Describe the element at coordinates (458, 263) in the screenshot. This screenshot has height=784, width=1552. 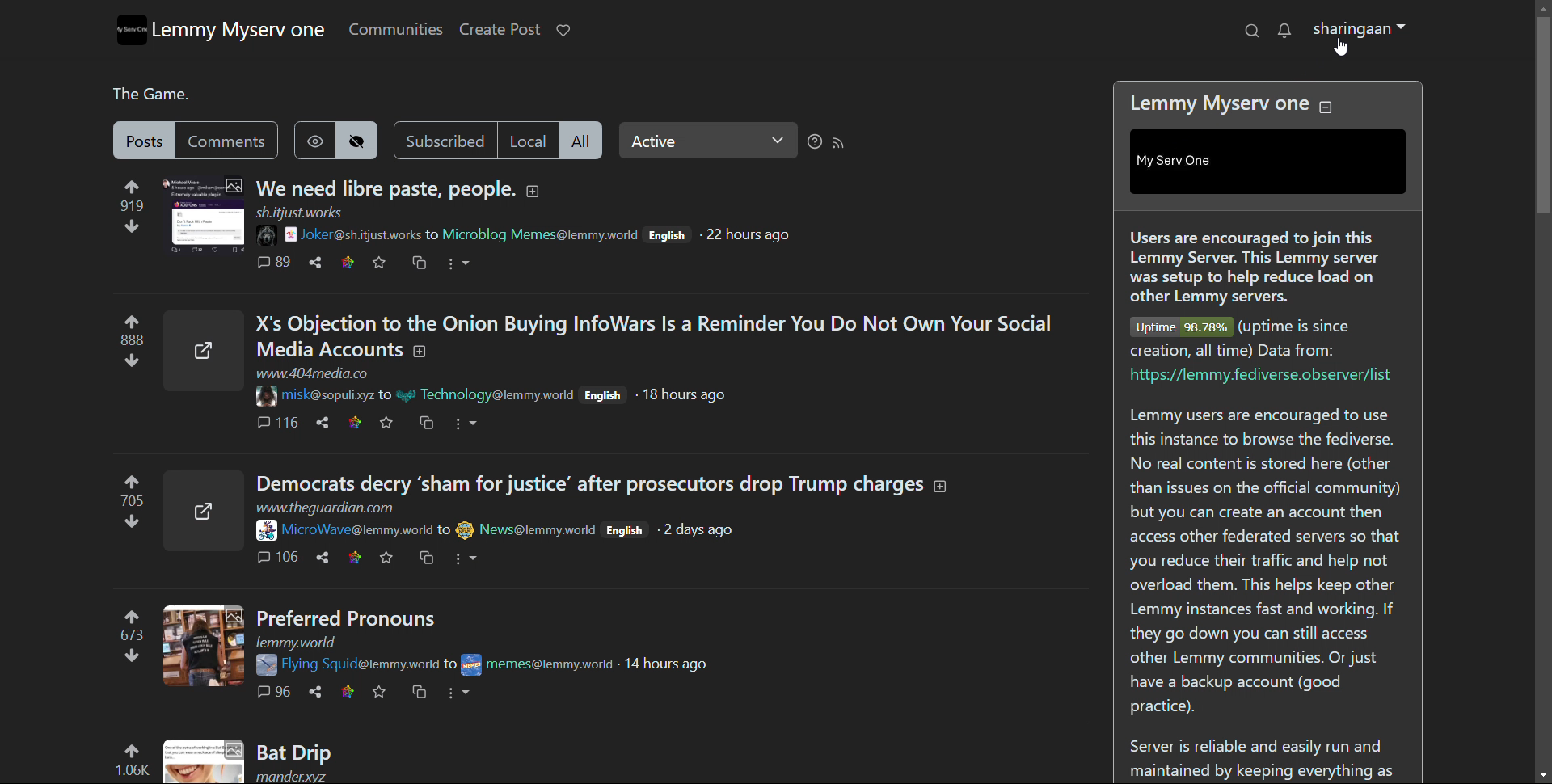
I see `more` at that location.